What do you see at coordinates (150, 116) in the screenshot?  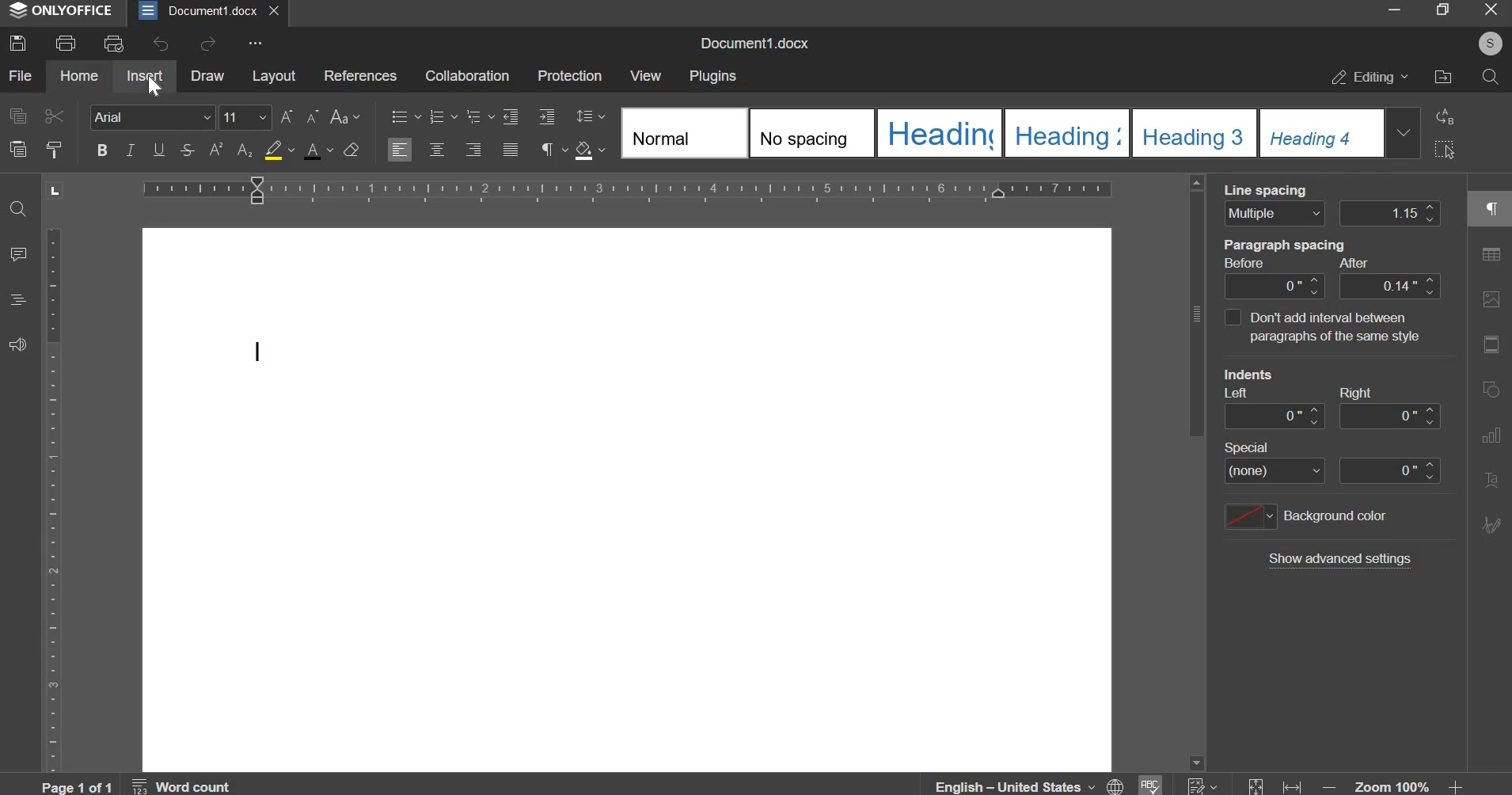 I see `font` at bounding box center [150, 116].